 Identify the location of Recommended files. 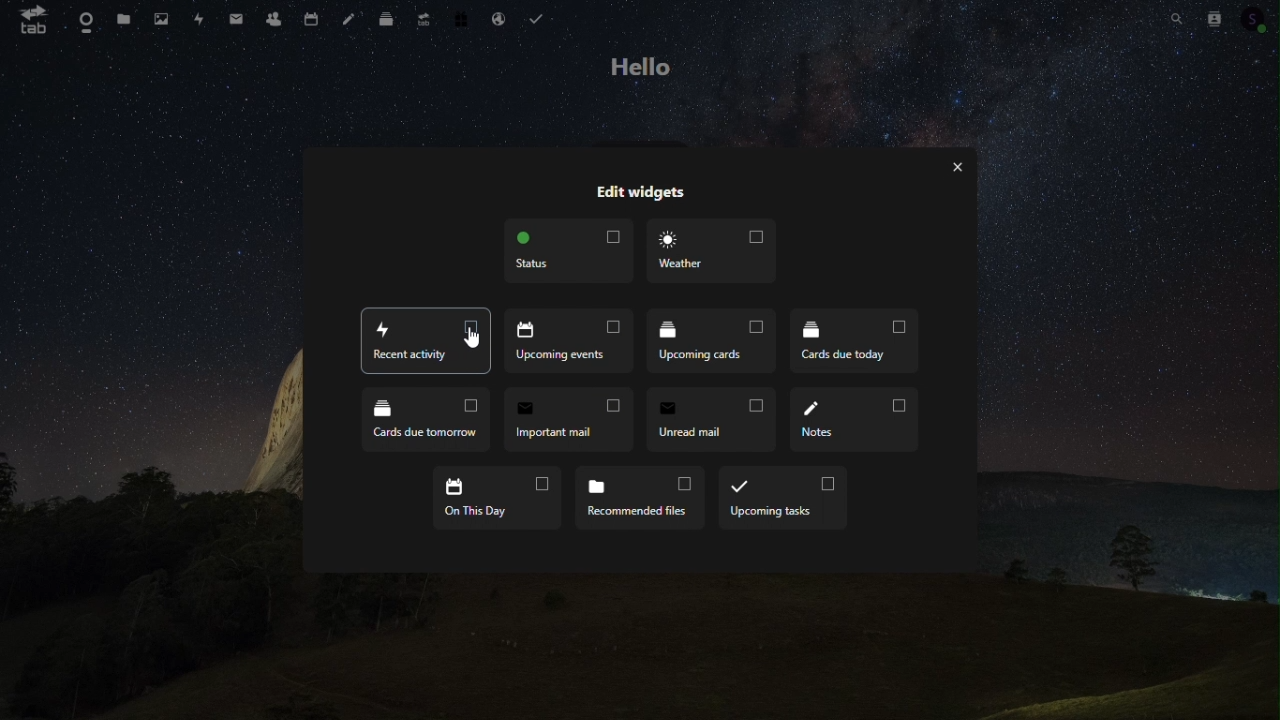
(642, 500).